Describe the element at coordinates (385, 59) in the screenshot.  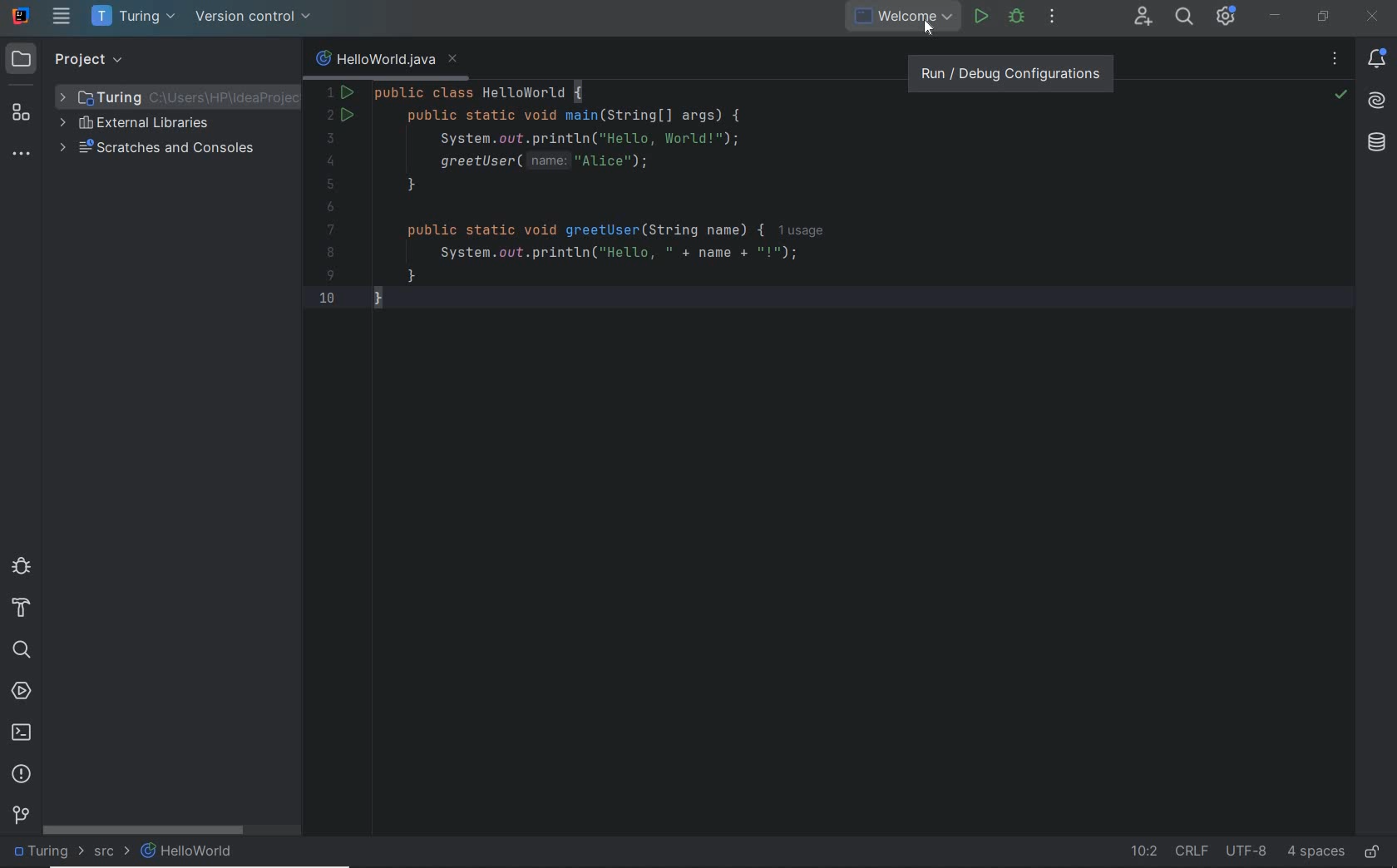
I see `file name` at that location.